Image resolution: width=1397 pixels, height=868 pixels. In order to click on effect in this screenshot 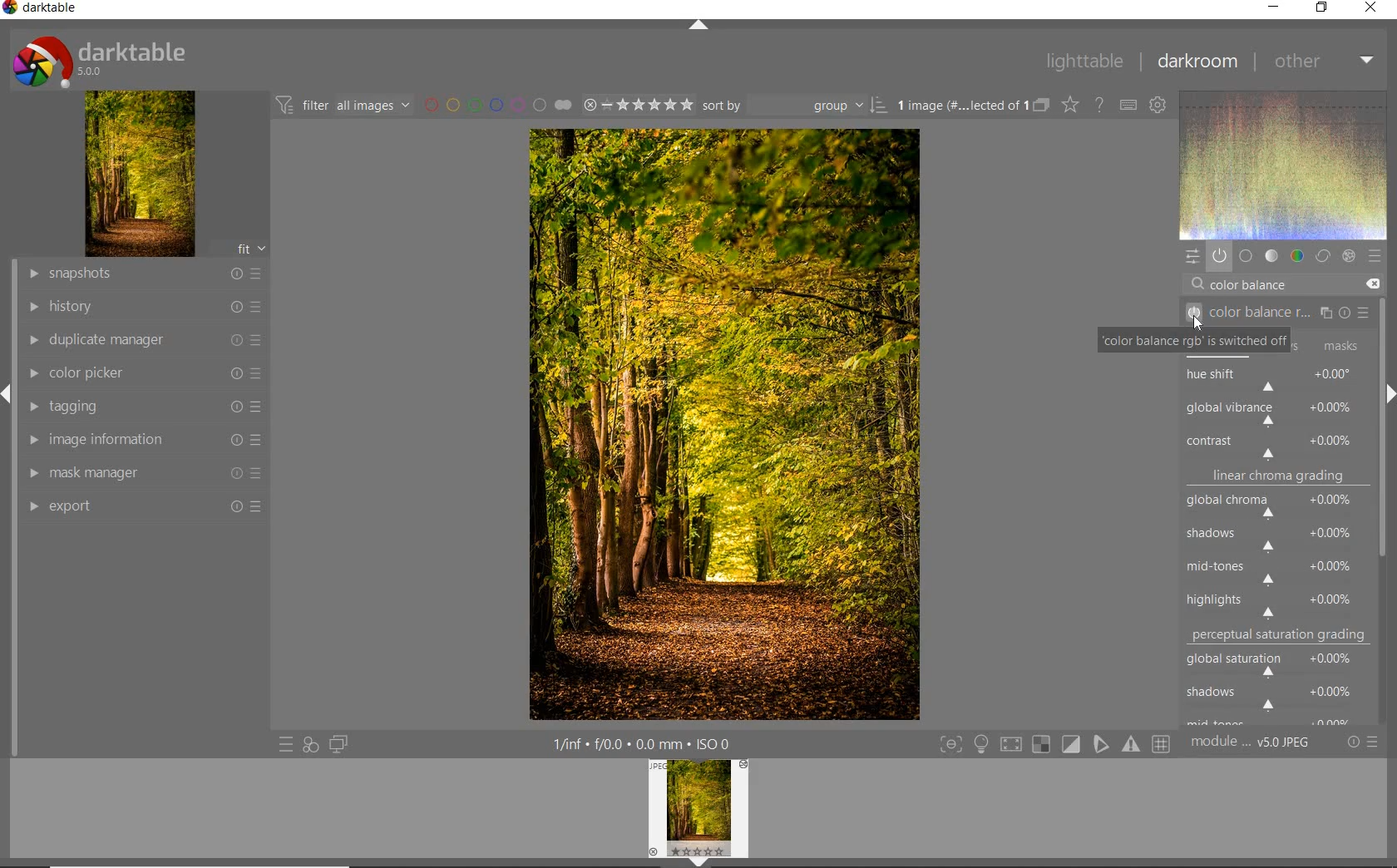, I will do `click(1349, 254)`.